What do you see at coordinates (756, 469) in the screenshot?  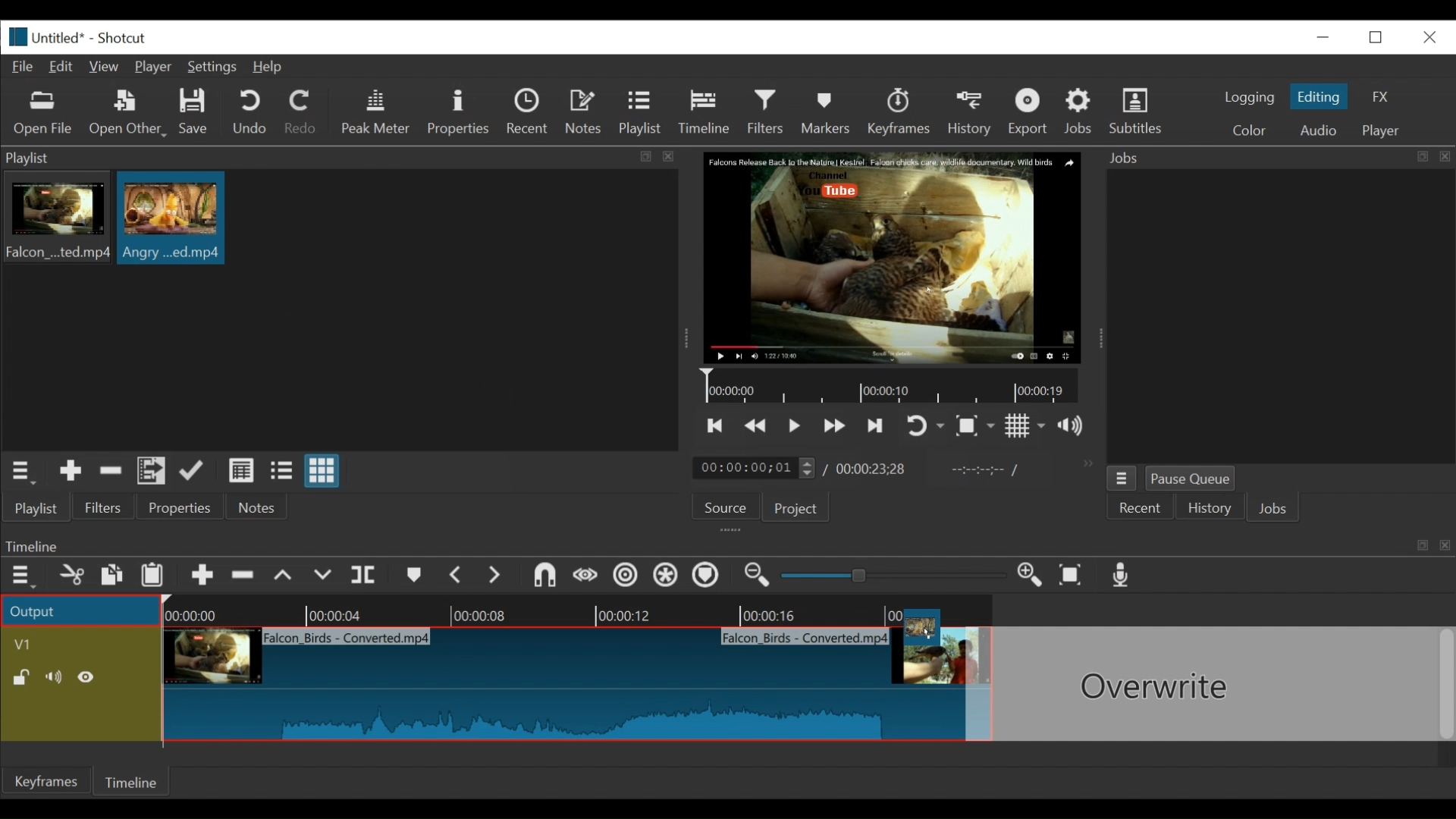 I see `current duration` at bounding box center [756, 469].